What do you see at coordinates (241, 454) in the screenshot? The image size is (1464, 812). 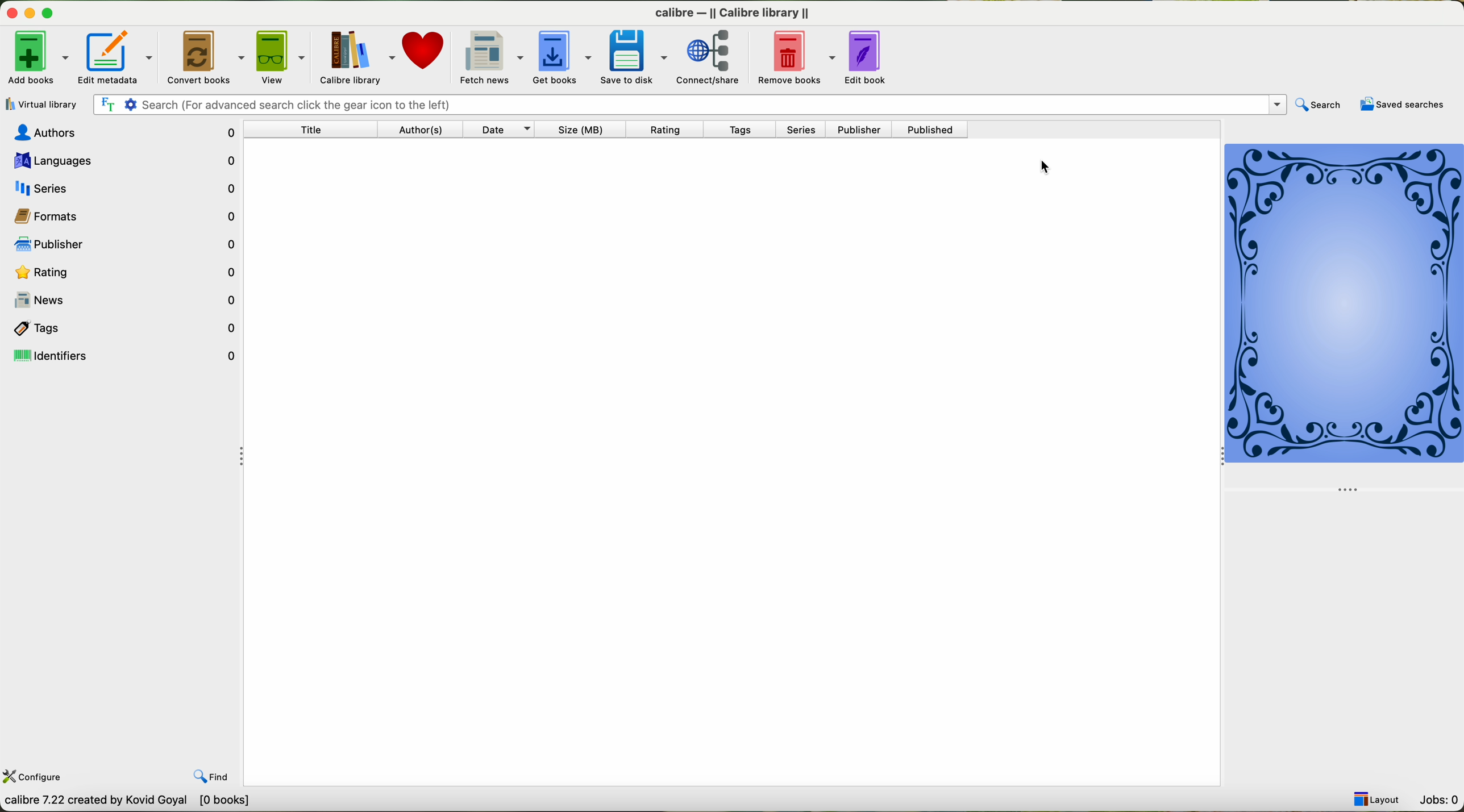 I see `hide` at bounding box center [241, 454].